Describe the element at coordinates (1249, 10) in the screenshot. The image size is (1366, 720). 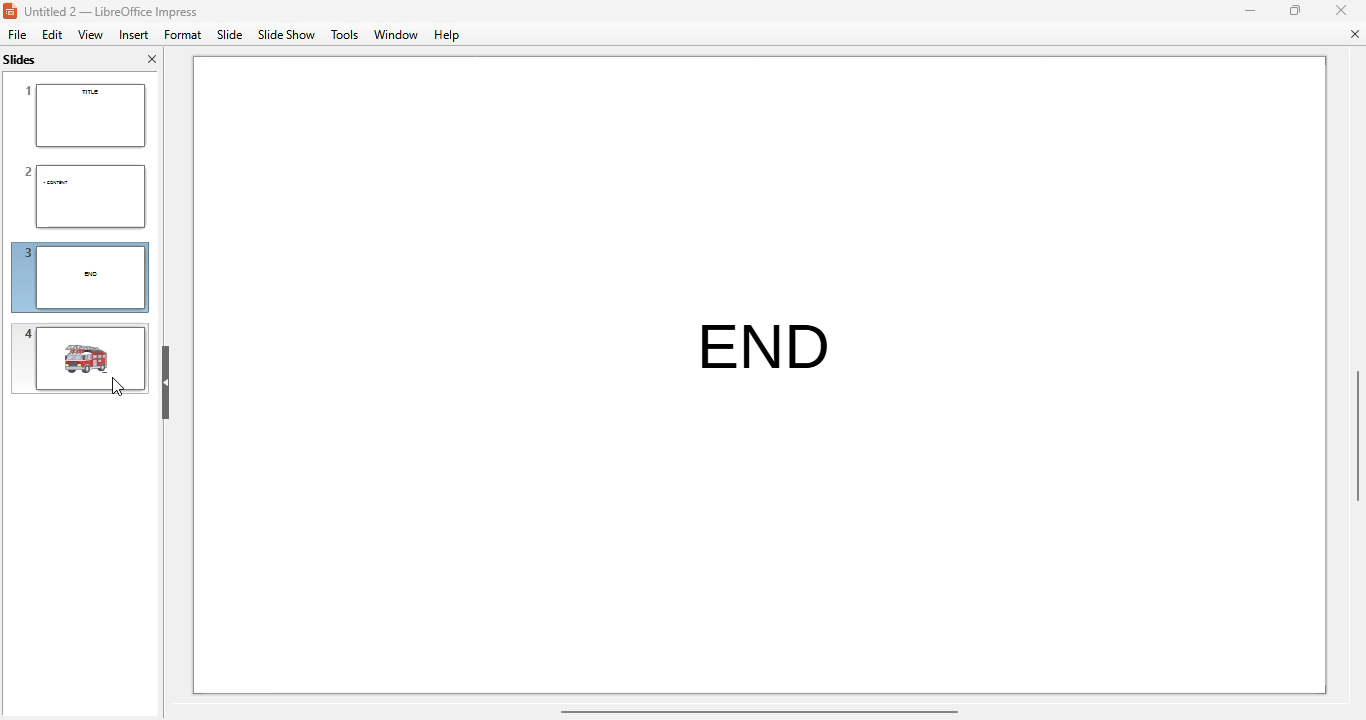
I see `minimize` at that location.